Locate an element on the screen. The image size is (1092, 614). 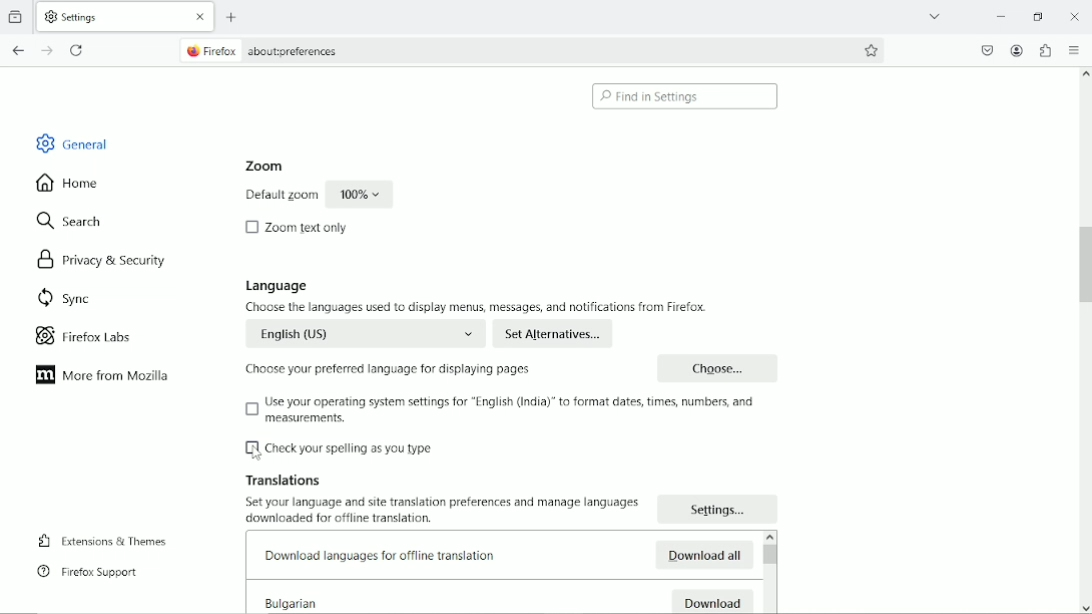
reload current page is located at coordinates (77, 49).